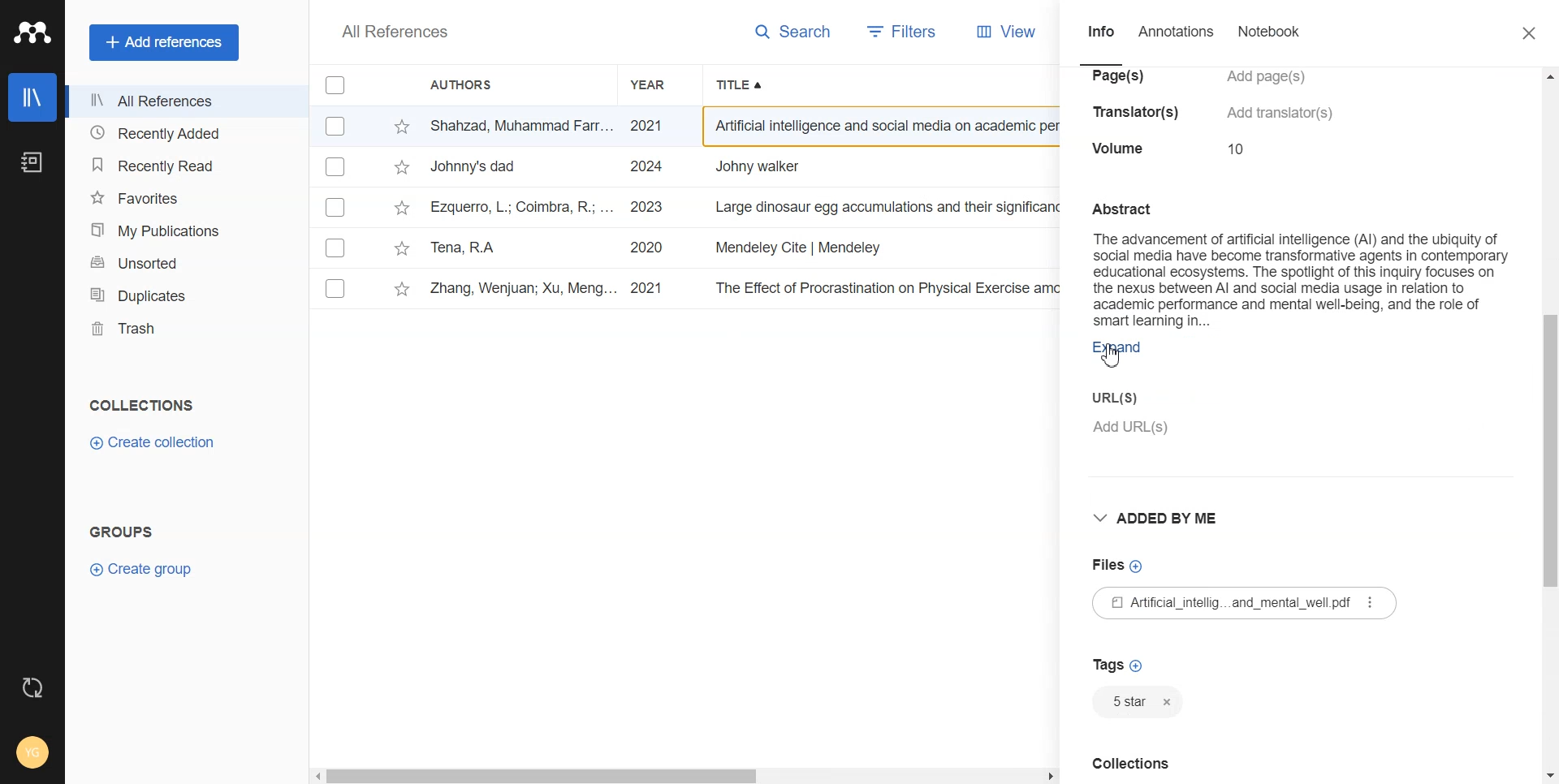  I want to click on Favorites, so click(174, 199).